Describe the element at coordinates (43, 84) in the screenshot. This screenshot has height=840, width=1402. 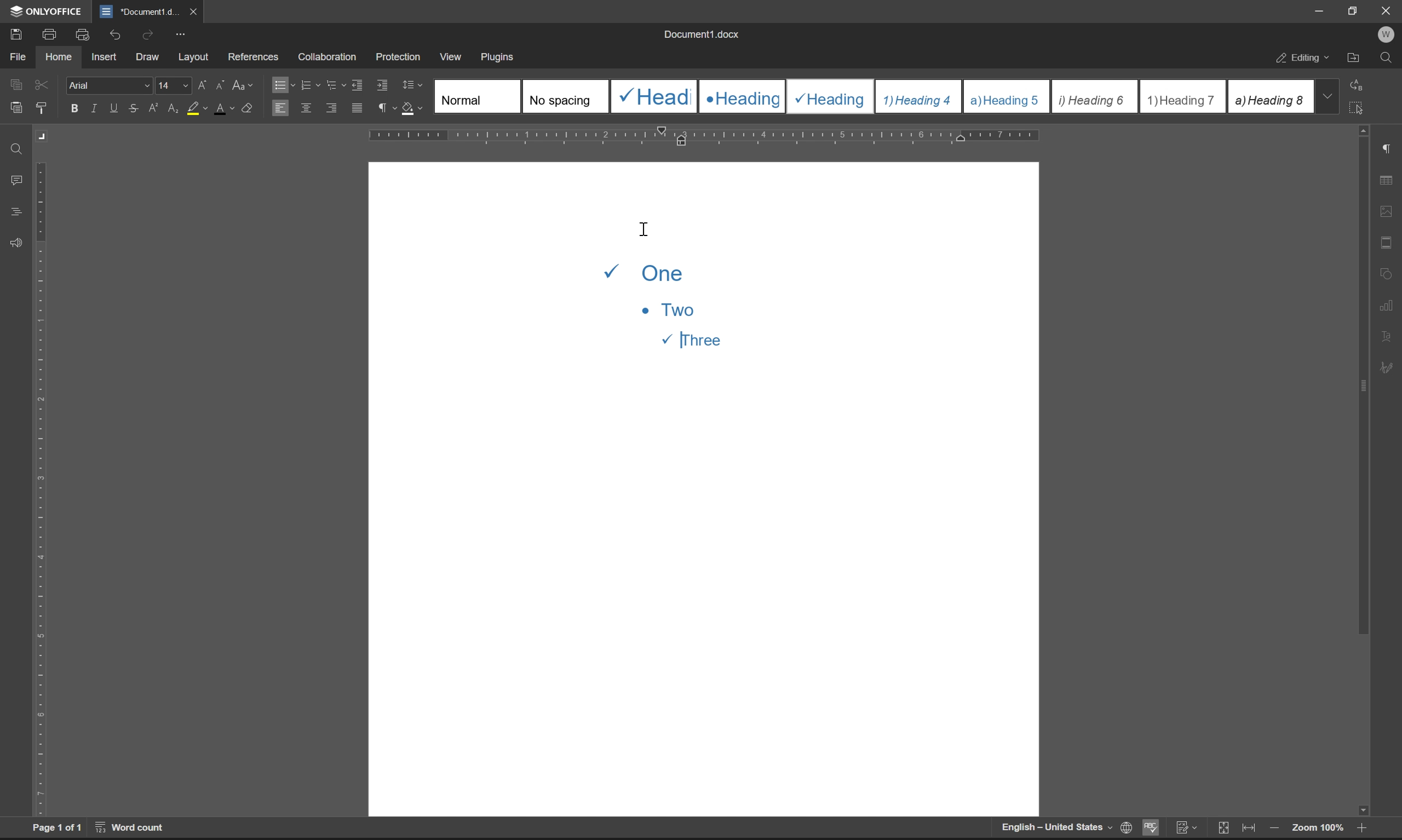
I see `cut` at that location.